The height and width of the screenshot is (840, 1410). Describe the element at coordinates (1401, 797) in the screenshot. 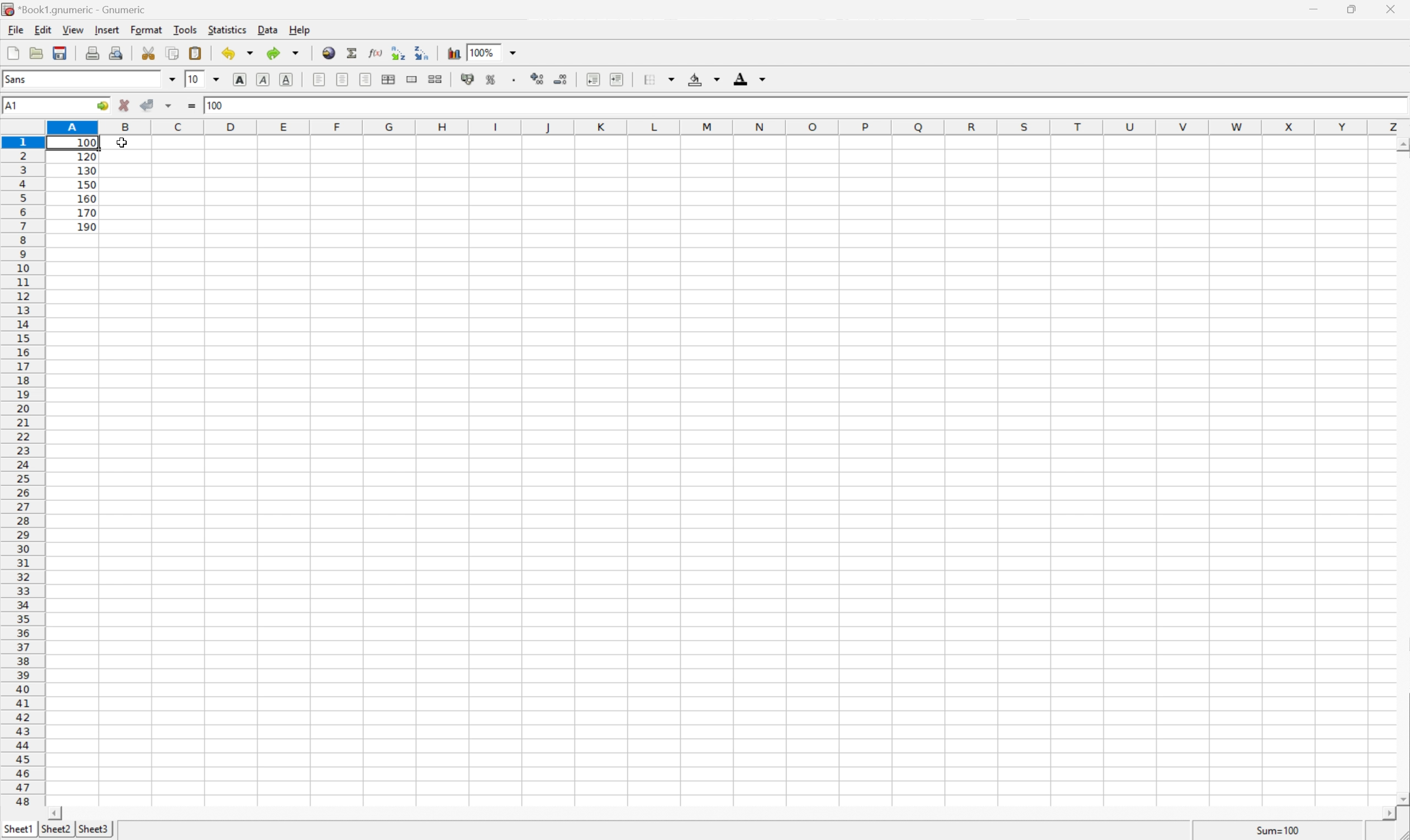

I see `Scroll Down` at that location.